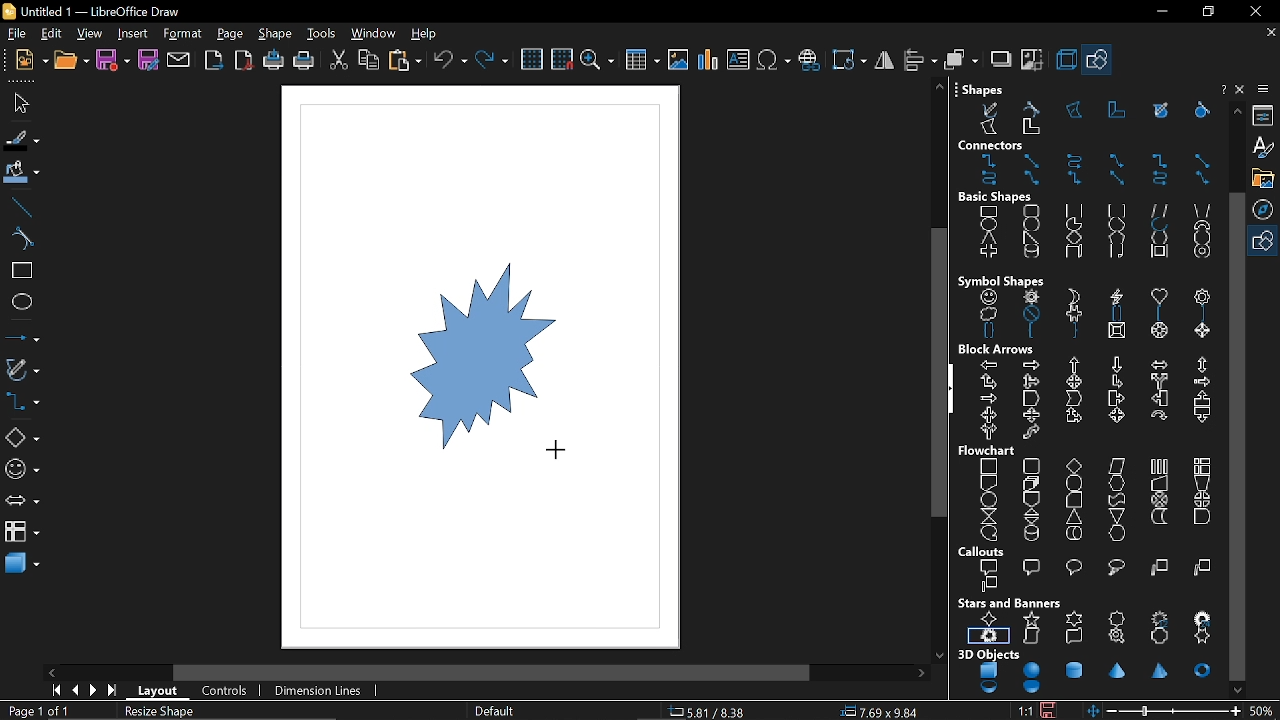 This screenshot has width=1280, height=720. What do you see at coordinates (492, 62) in the screenshot?
I see `redo` at bounding box center [492, 62].